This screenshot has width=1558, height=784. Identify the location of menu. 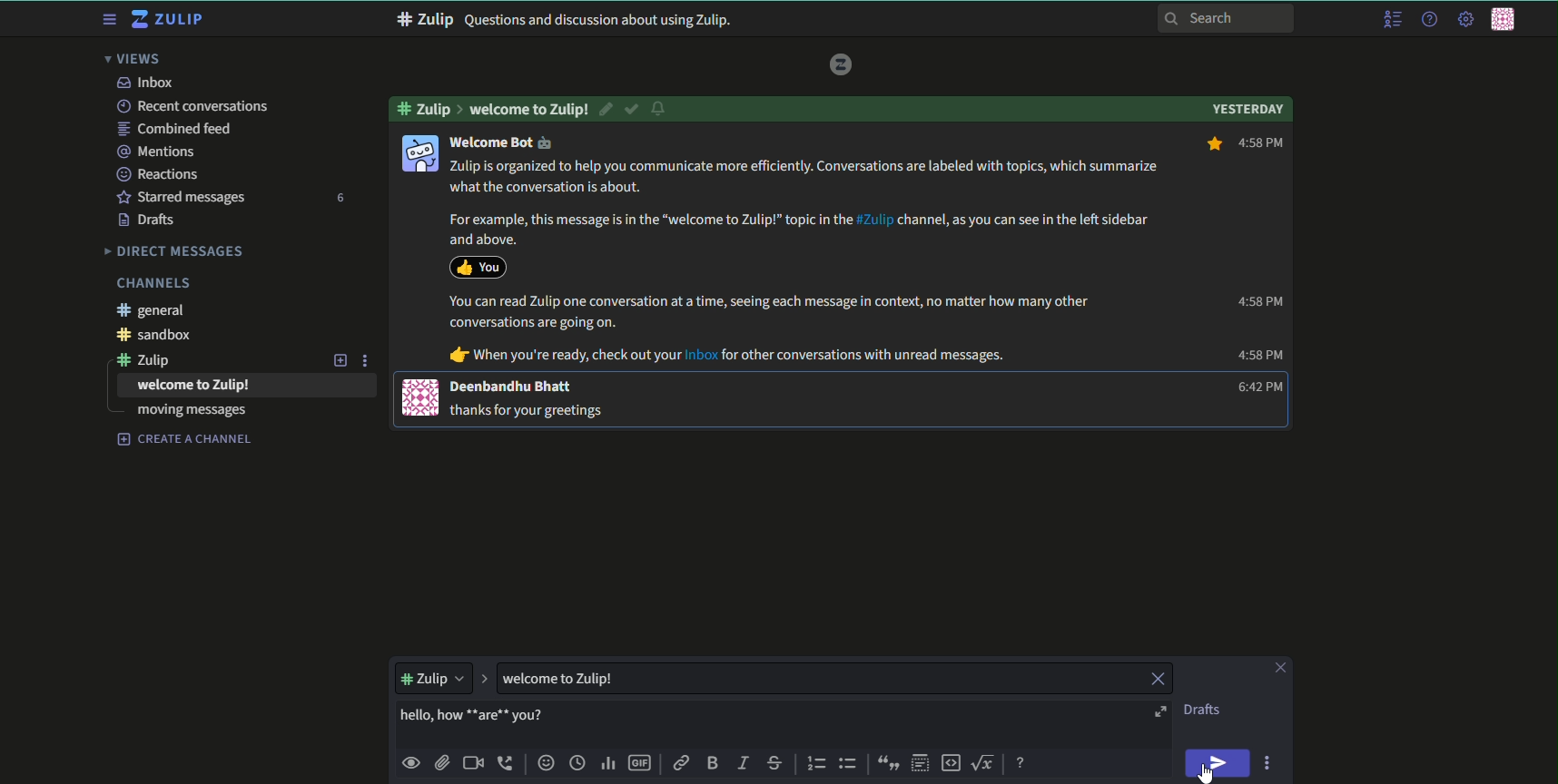
(107, 20).